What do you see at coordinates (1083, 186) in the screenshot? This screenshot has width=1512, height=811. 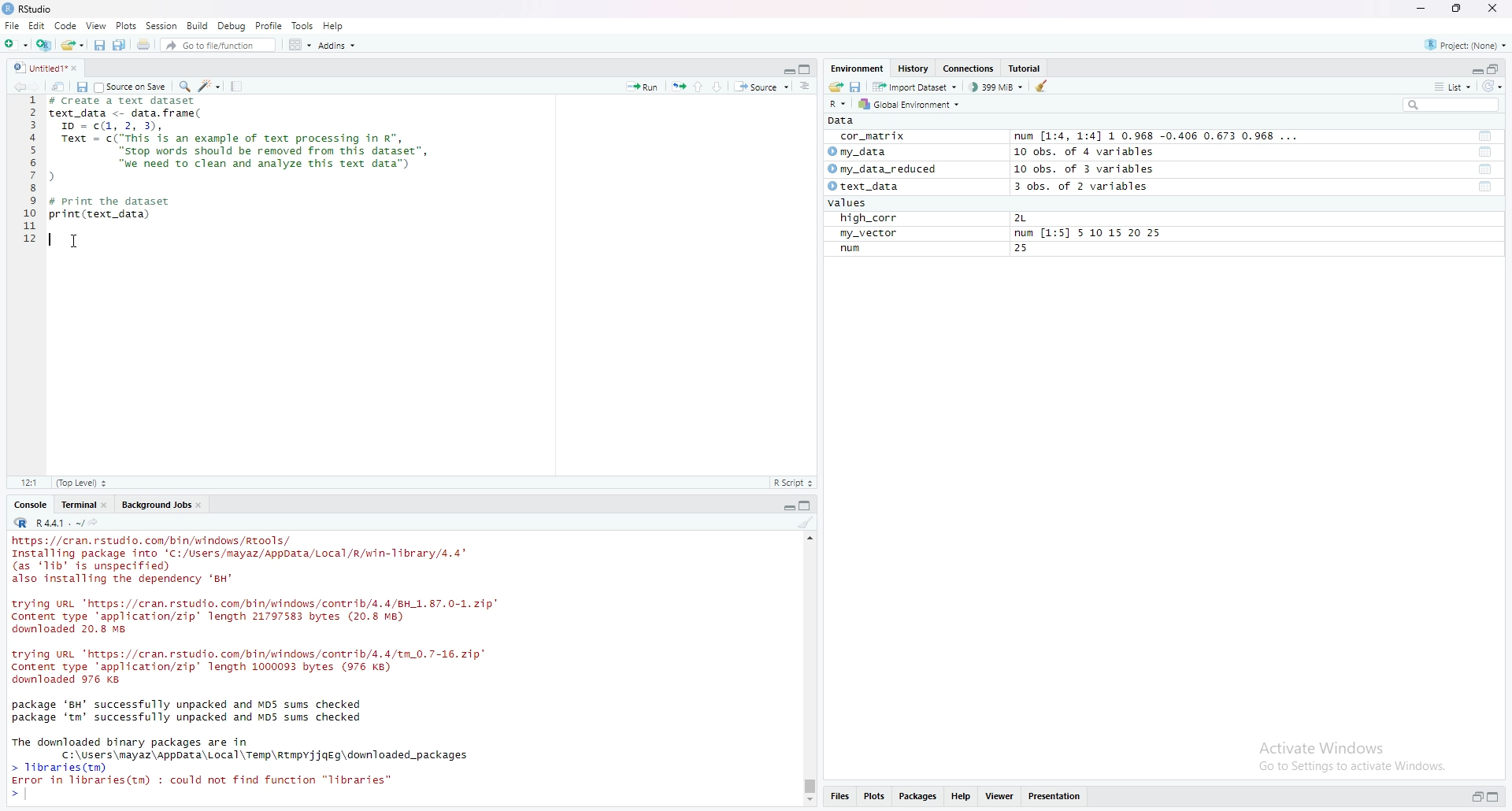 I see `3 obs. of 2 variables` at bounding box center [1083, 186].